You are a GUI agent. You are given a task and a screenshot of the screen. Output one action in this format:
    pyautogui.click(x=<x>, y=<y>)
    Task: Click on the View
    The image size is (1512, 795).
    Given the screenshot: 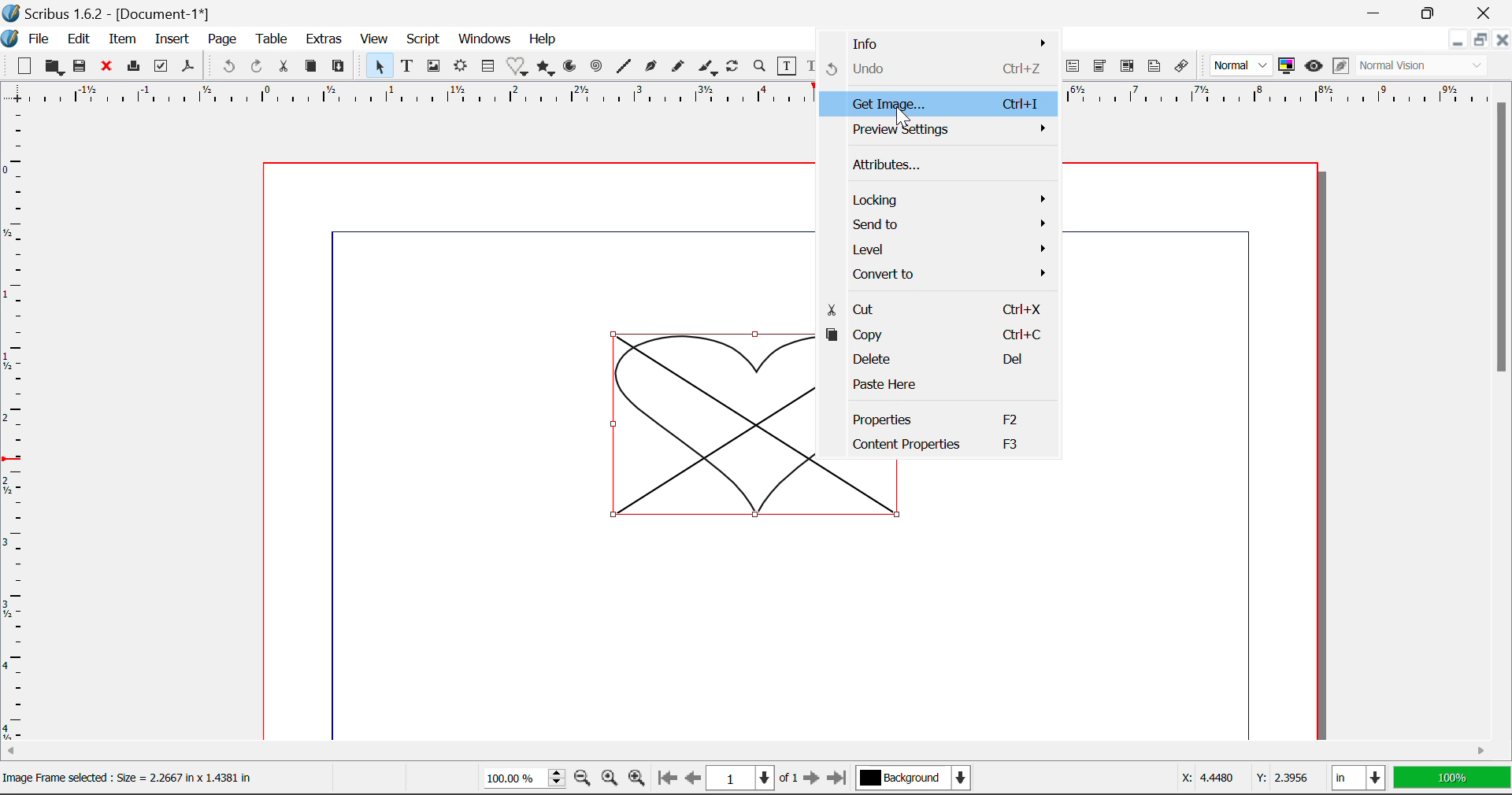 What is the action you would take?
    pyautogui.click(x=375, y=41)
    